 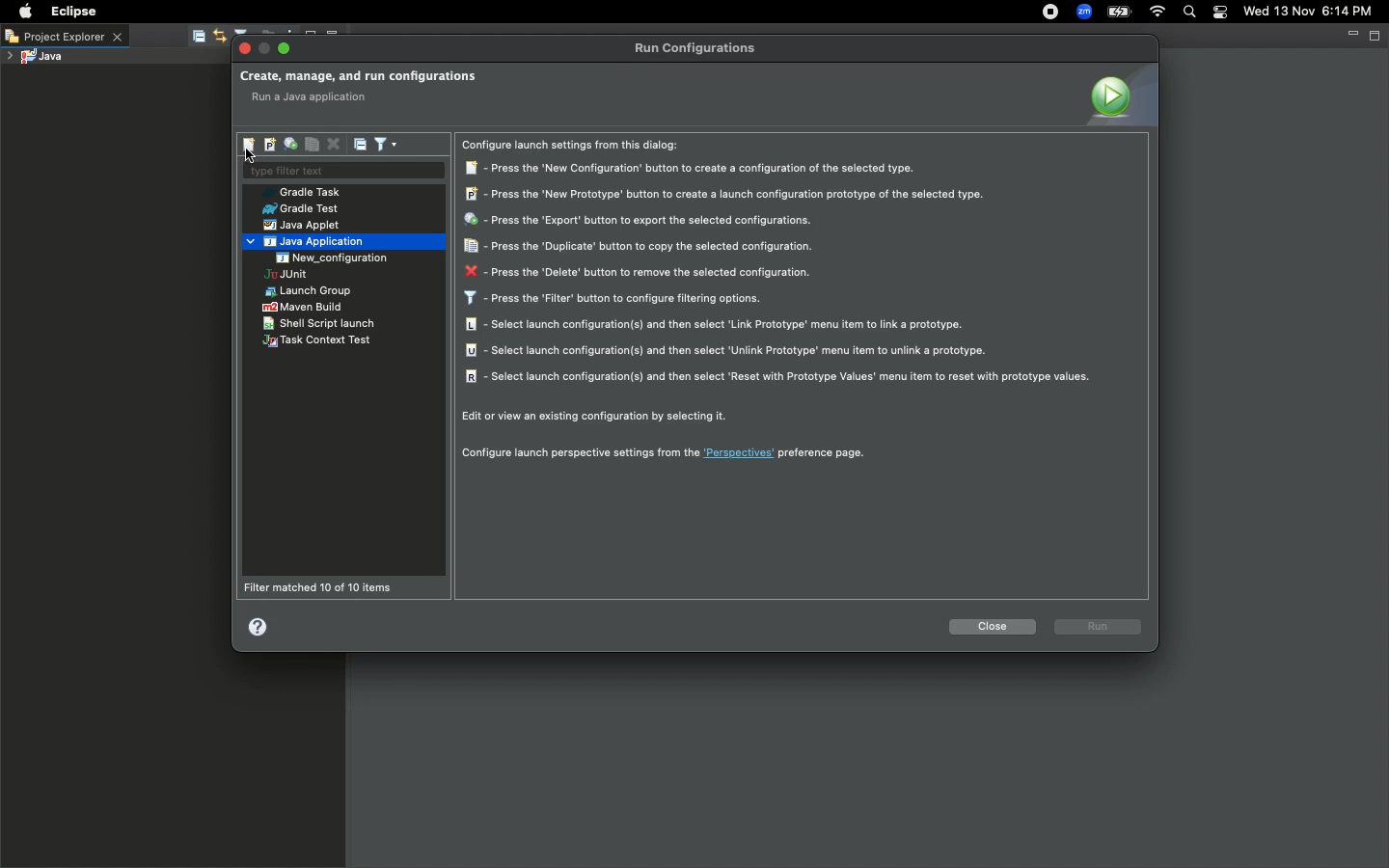 I want to click on Type filter text, so click(x=342, y=172).